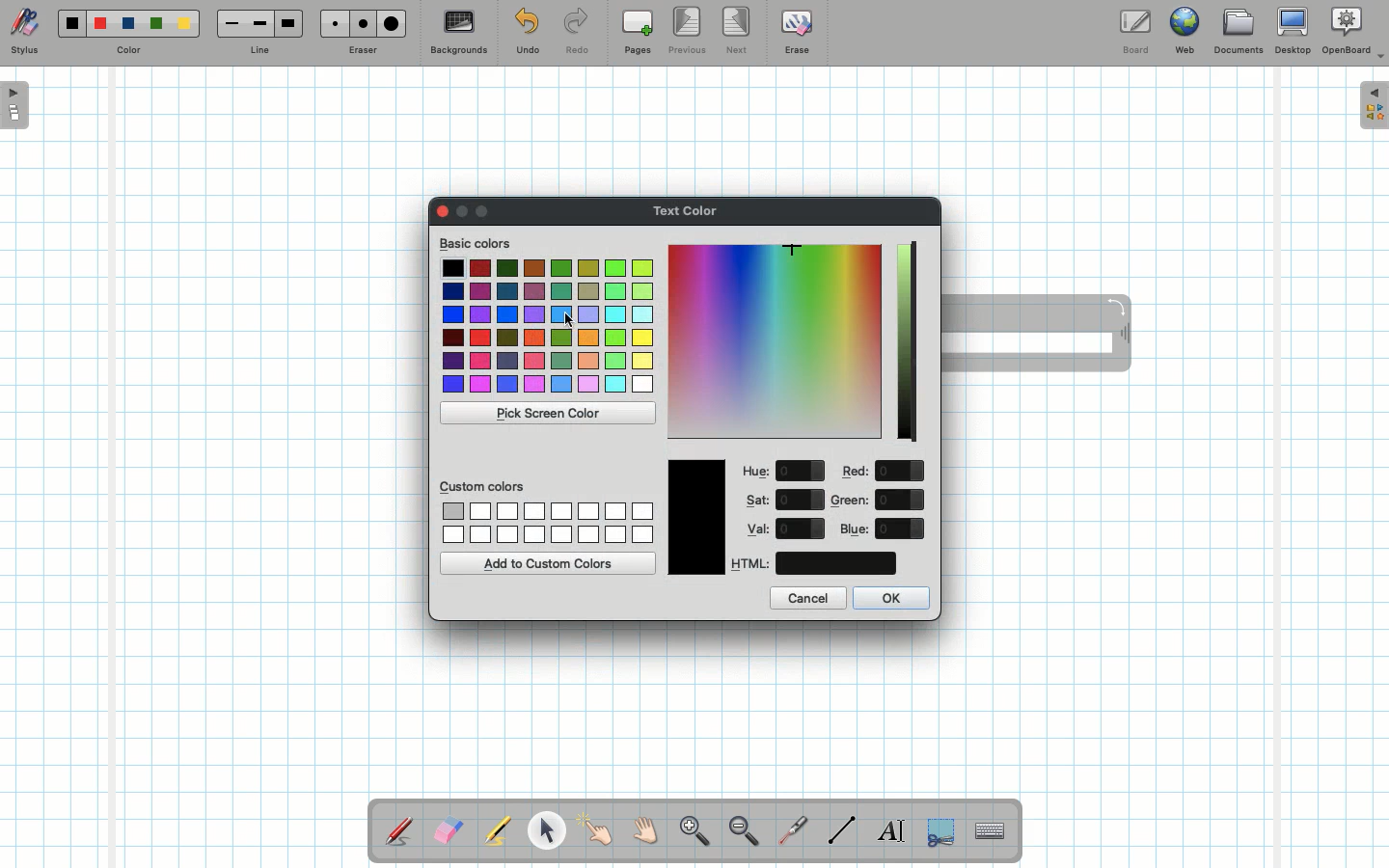  I want to click on Pointer, so click(596, 830).